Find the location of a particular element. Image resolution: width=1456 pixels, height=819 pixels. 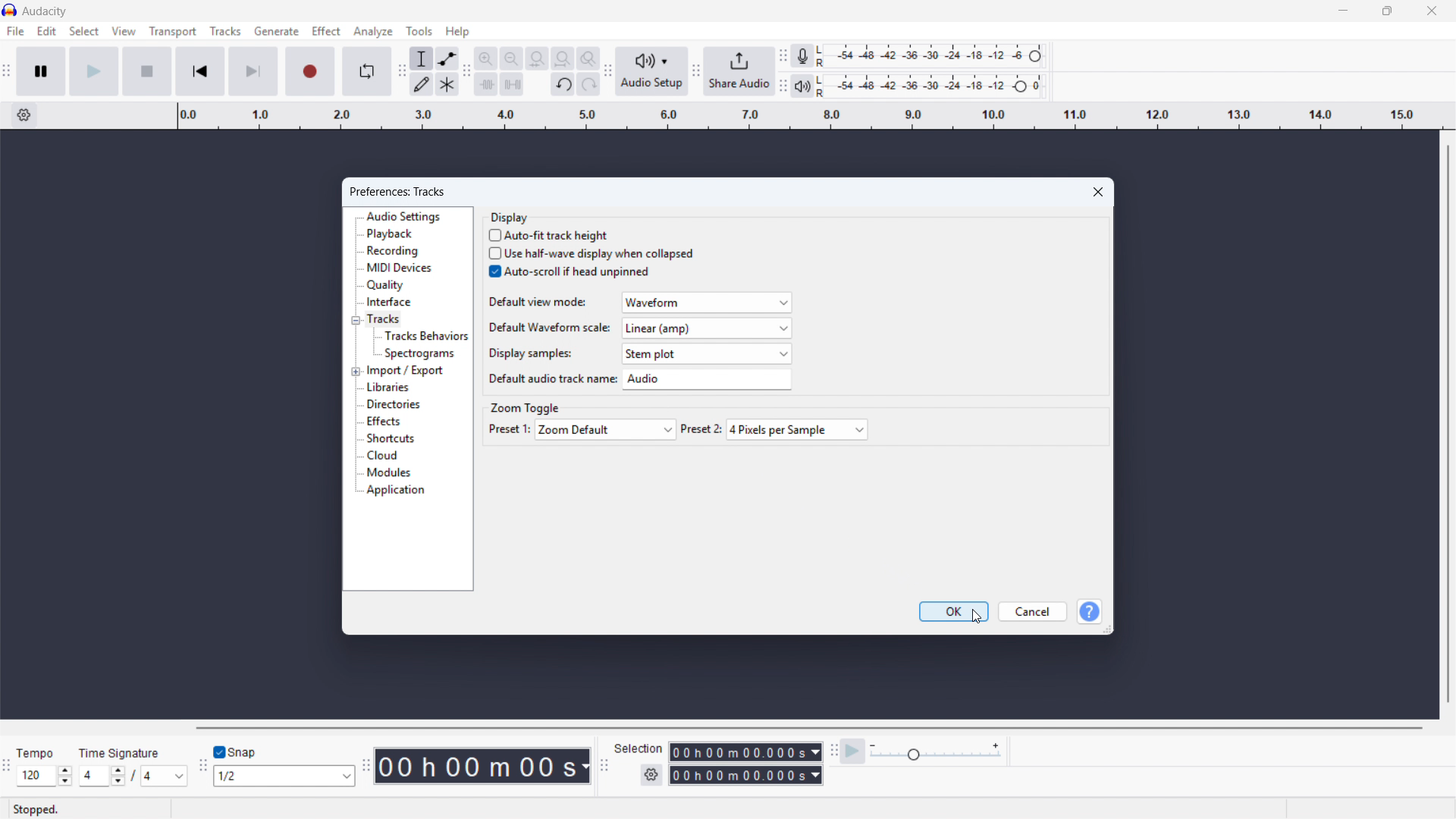

toggle snap is located at coordinates (234, 753).